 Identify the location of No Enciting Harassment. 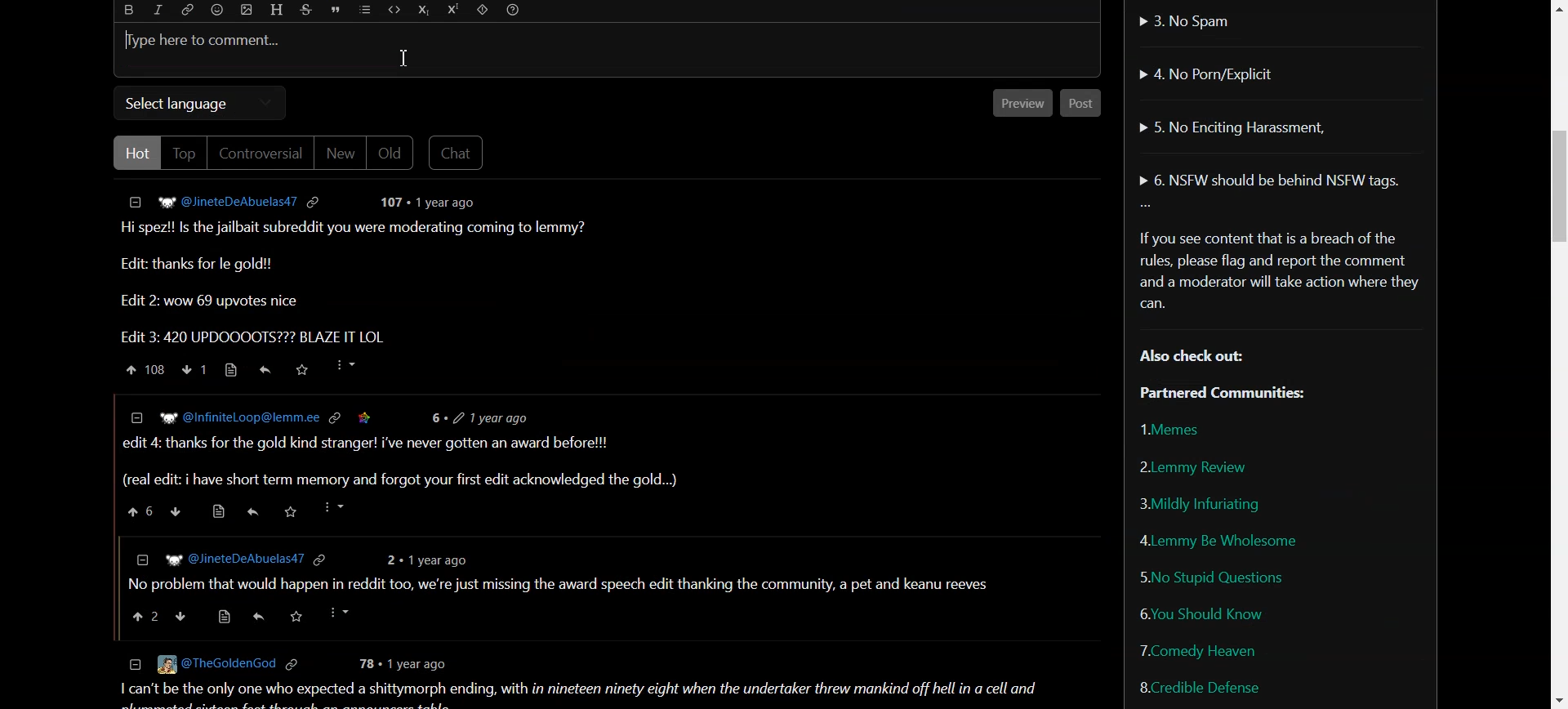
(1232, 125).